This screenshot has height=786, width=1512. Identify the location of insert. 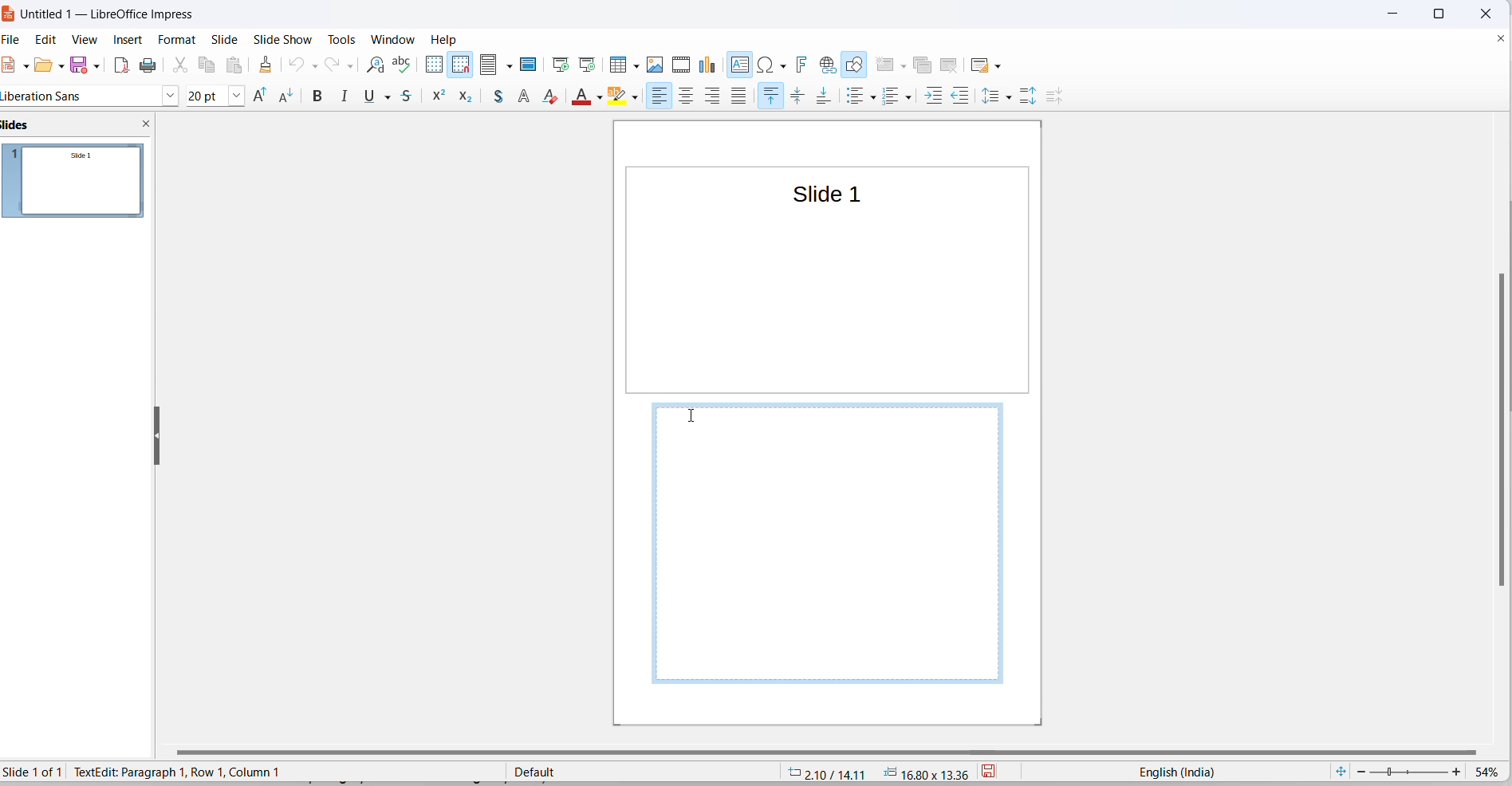
(130, 41).